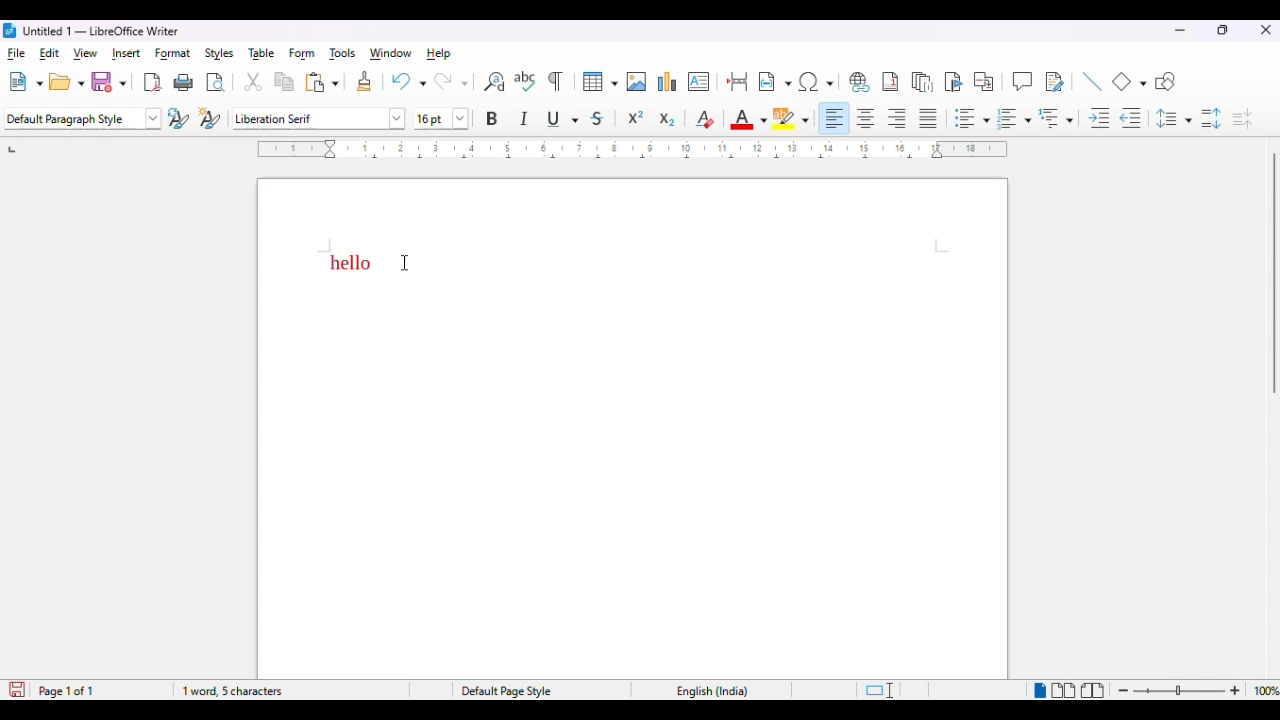 The width and height of the screenshot is (1280, 720). I want to click on print, so click(183, 83).